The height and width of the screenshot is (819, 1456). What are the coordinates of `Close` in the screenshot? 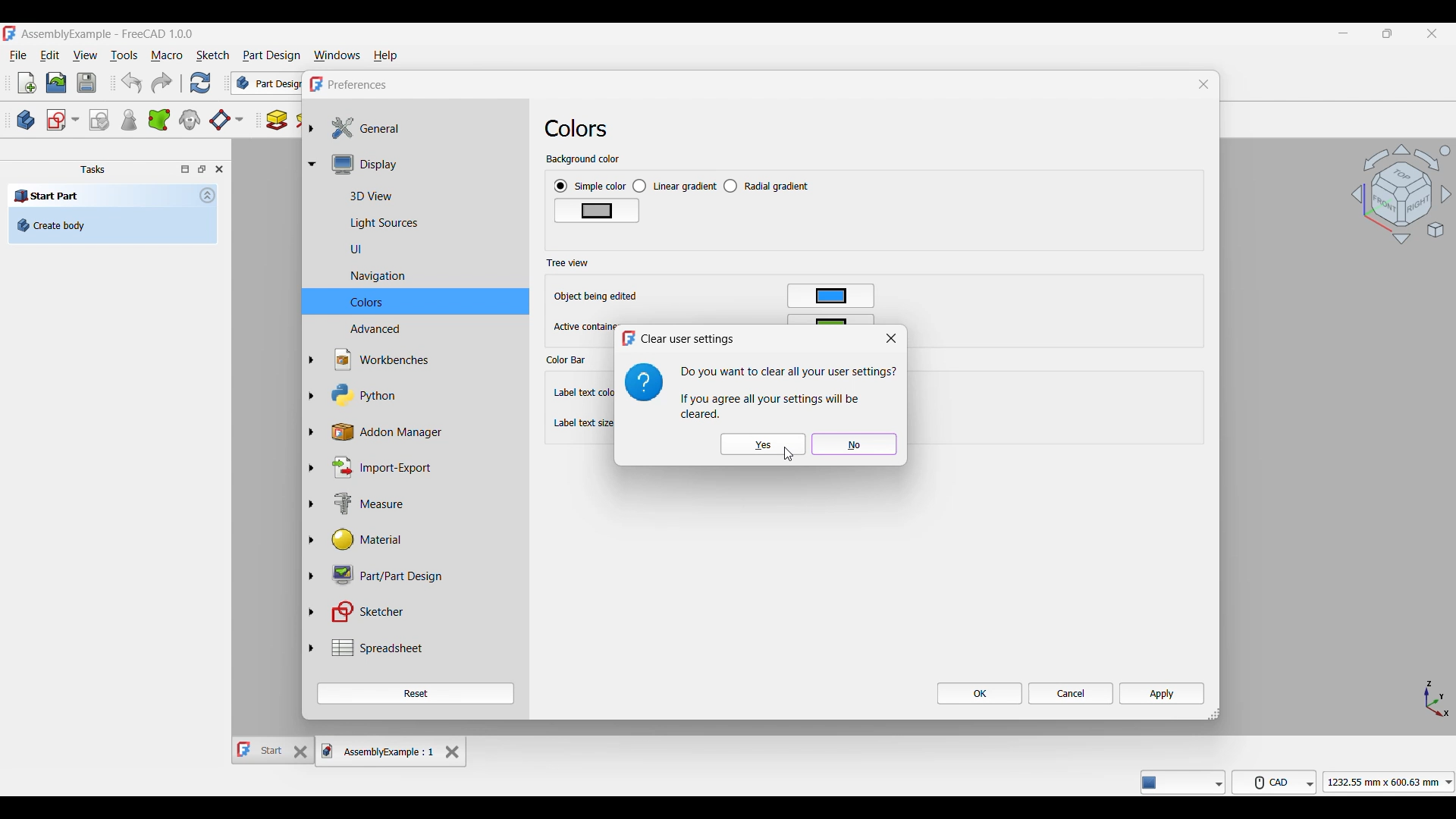 It's located at (1204, 83).